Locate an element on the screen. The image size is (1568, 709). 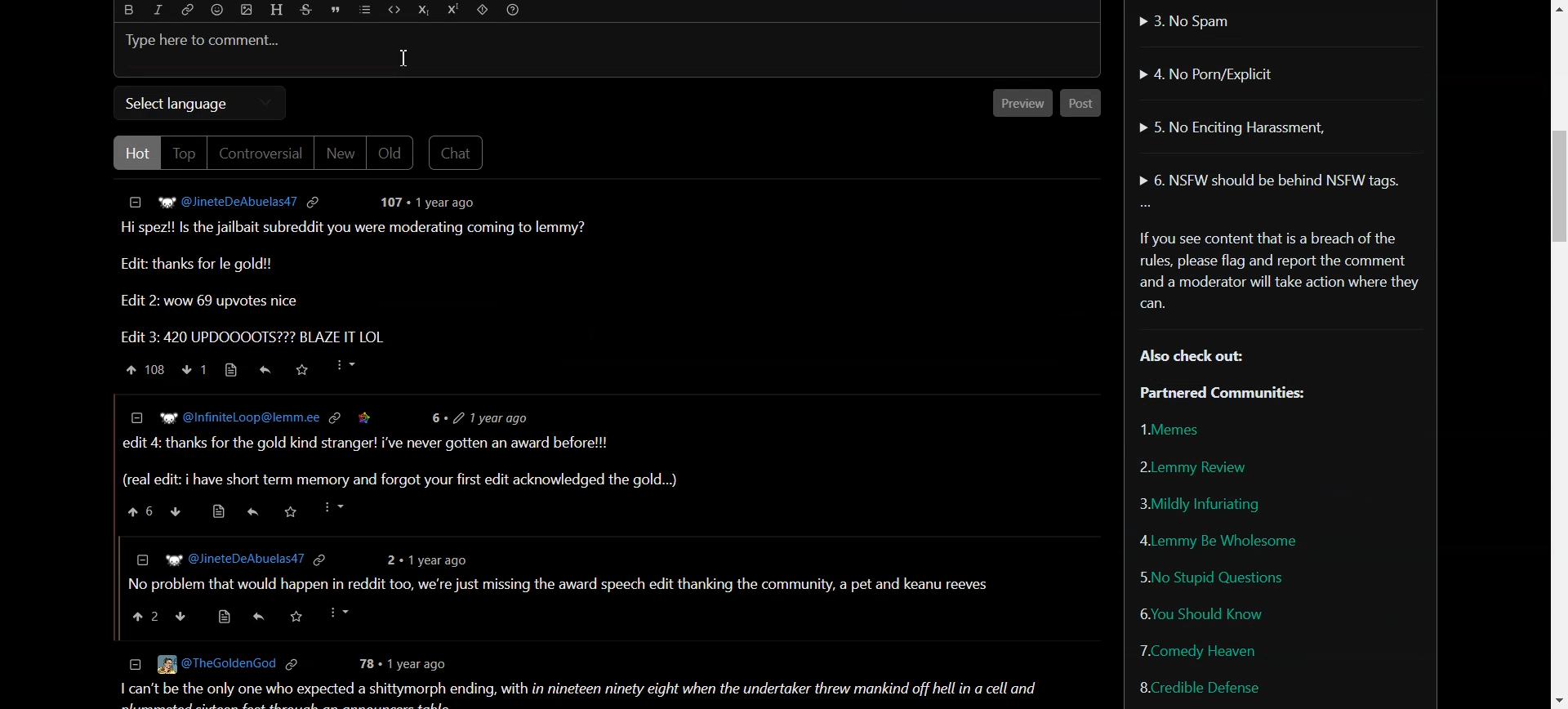
Controversial is located at coordinates (262, 154).